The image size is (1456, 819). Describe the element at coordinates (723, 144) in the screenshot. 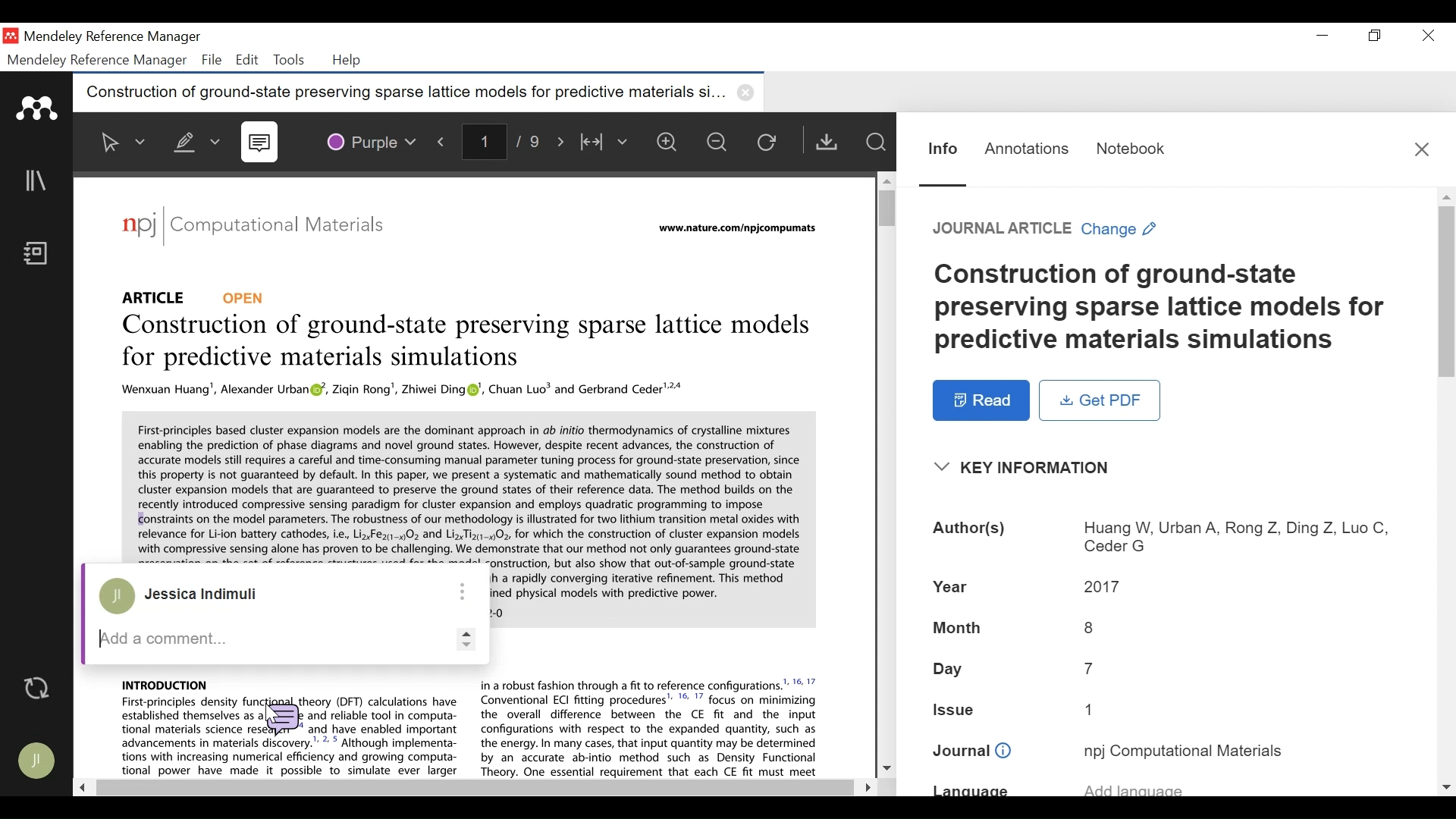

I see `Zoom out` at that location.